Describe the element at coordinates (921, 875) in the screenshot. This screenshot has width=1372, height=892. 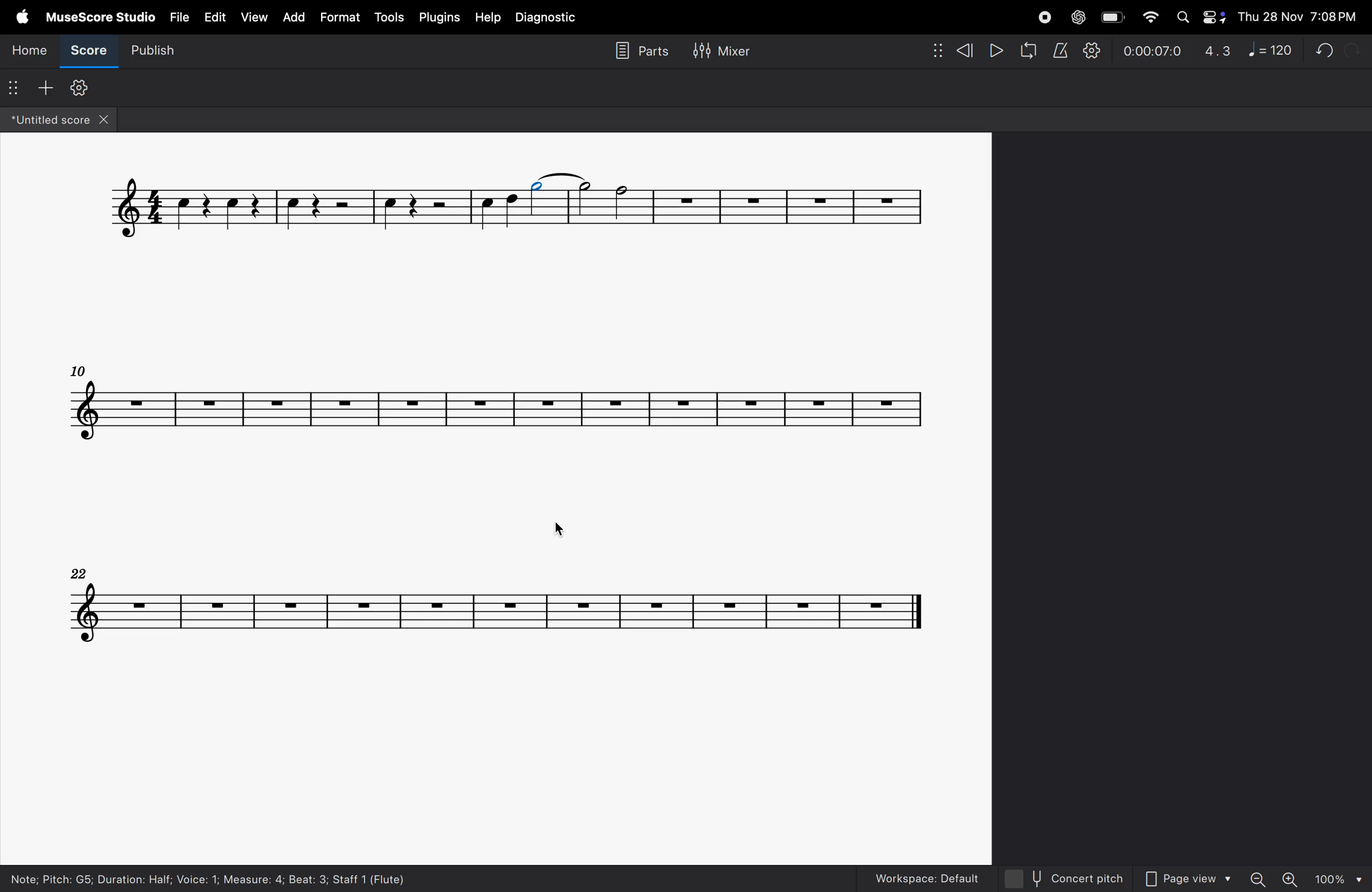
I see `workspaces default` at that location.